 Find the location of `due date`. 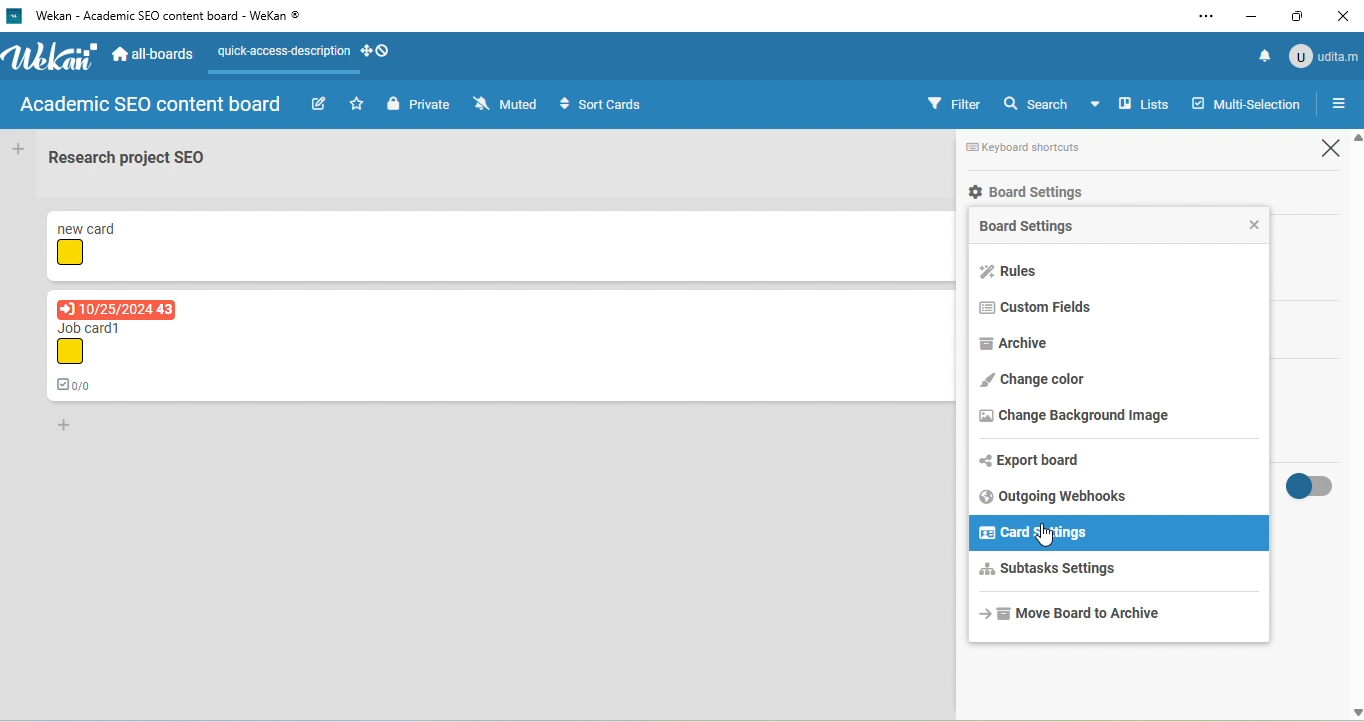

due date is located at coordinates (117, 308).